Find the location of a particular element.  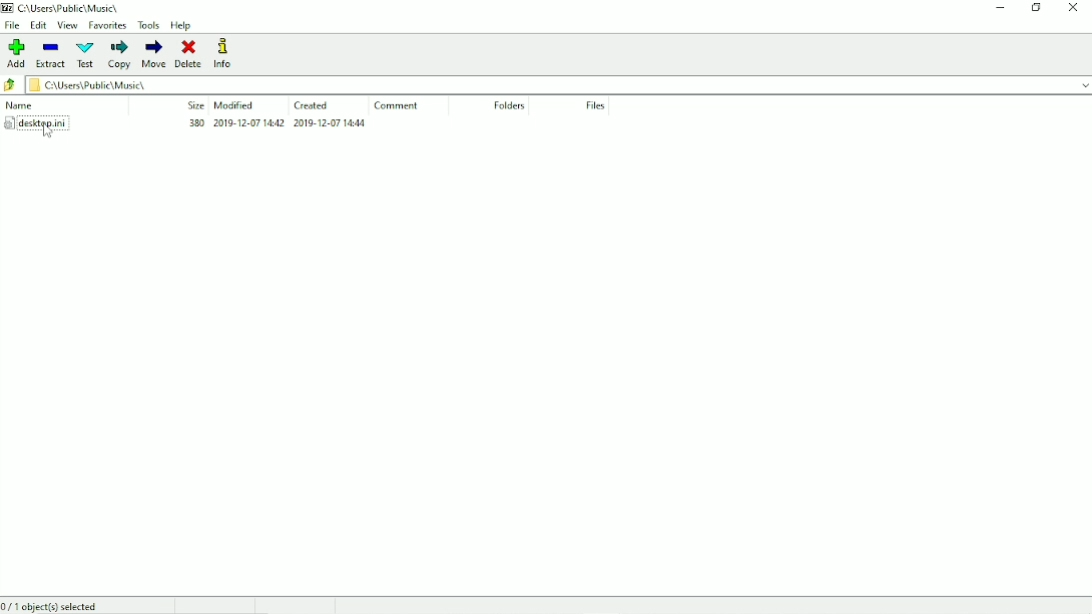

Tools is located at coordinates (149, 25).